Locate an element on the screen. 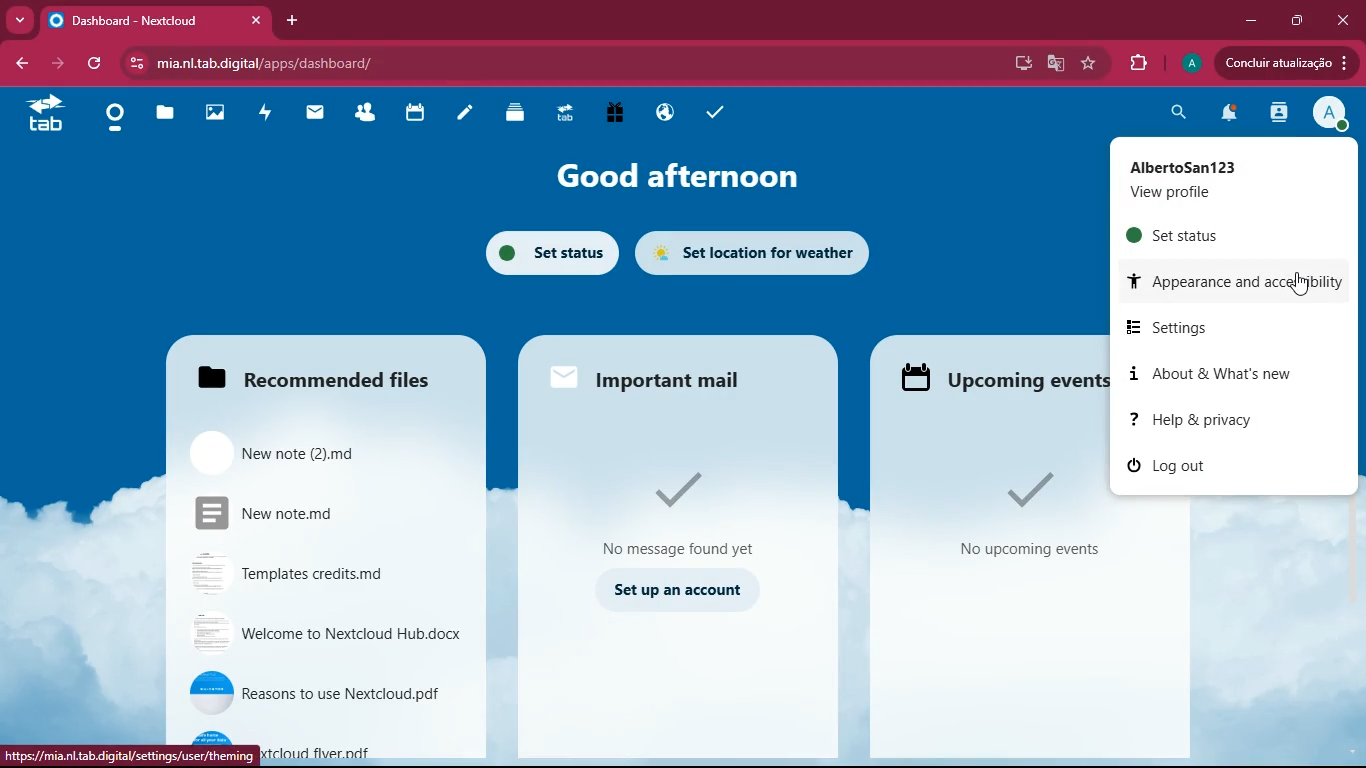 This screenshot has width=1366, height=768. activity is located at coordinates (1274, 114).